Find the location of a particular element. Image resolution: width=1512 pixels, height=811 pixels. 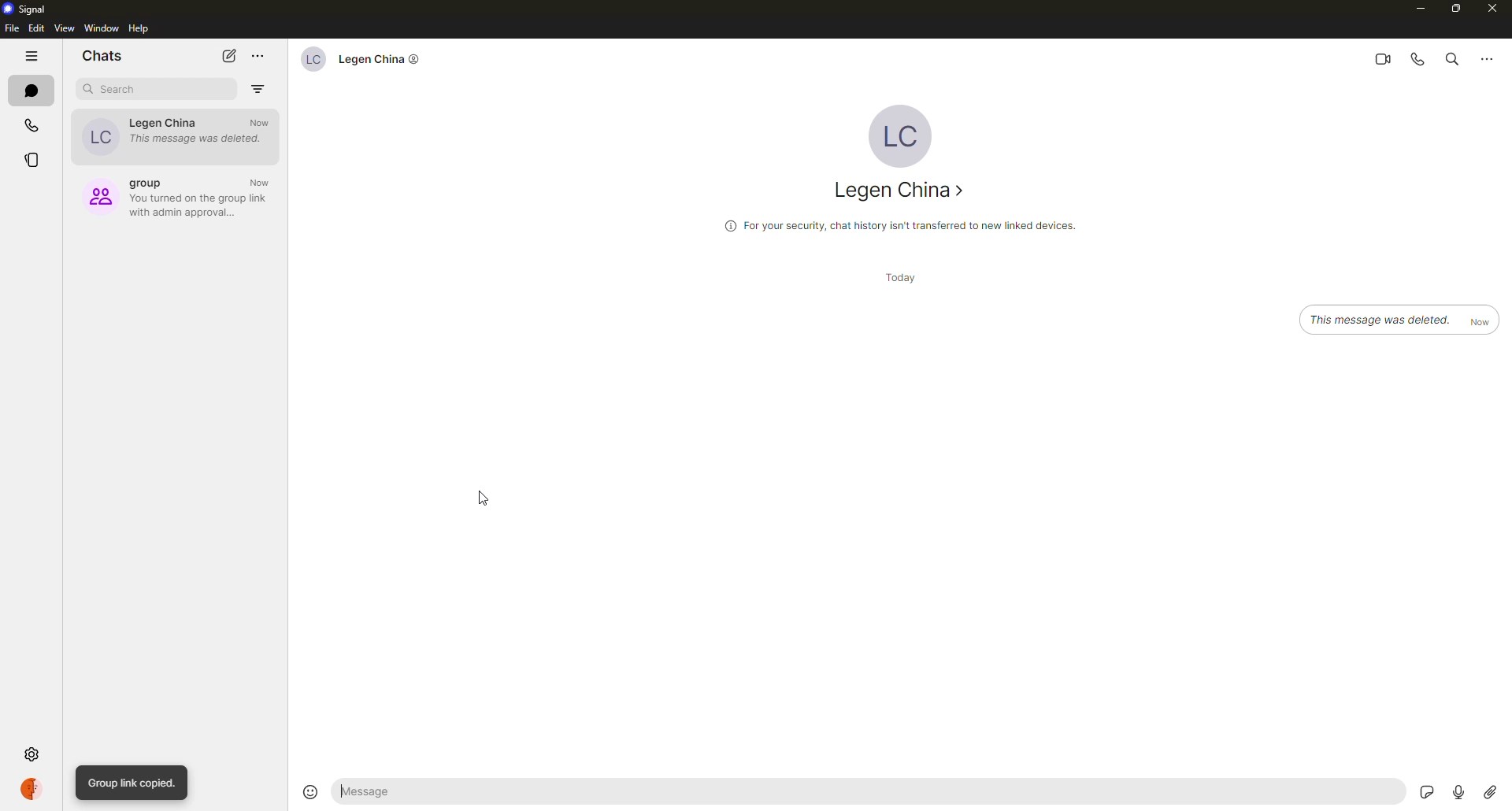

chats is located at coordinates (33, 91).